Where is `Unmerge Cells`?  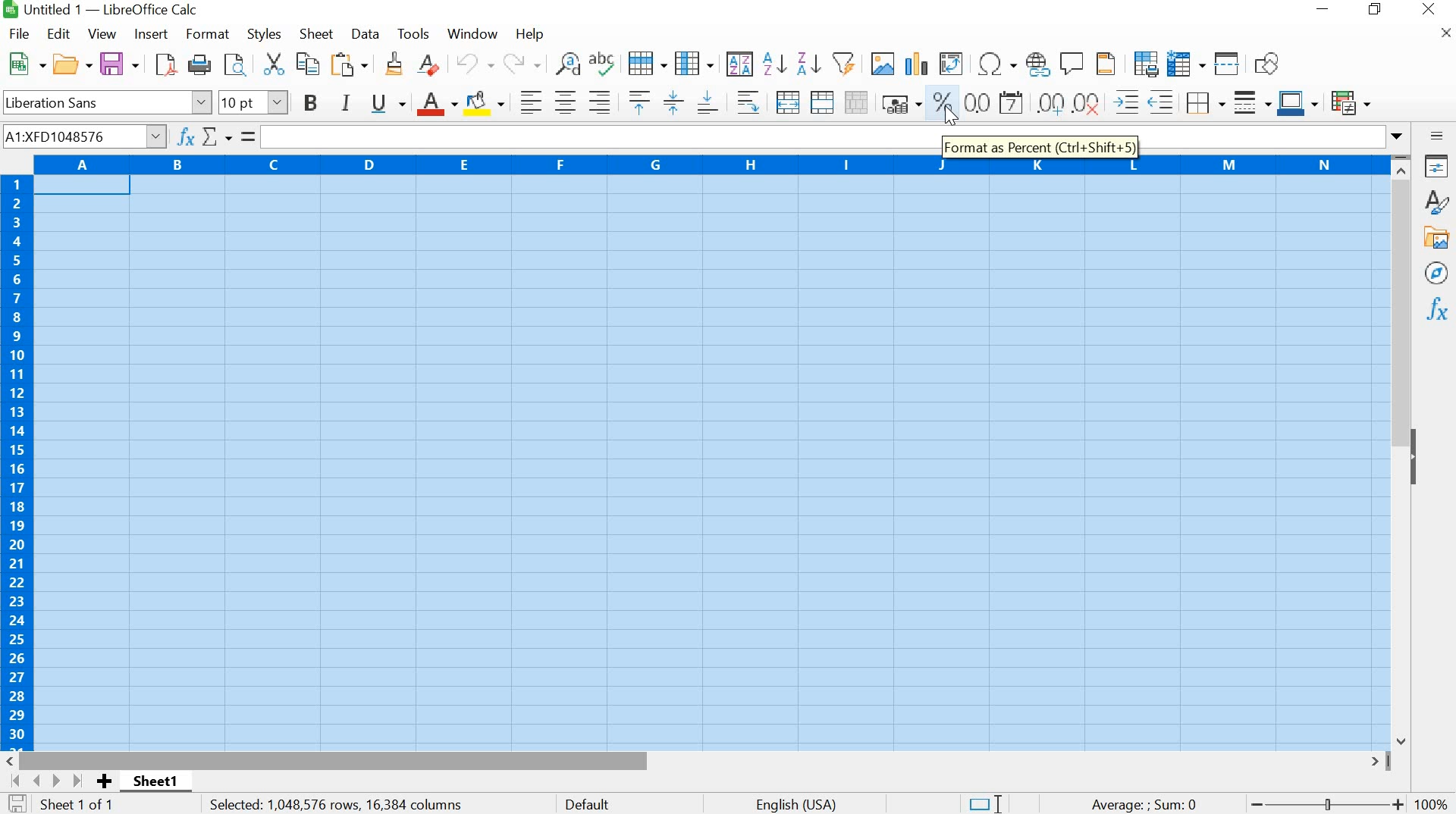 Unmerge Cells is located at coordinates (857, 101).